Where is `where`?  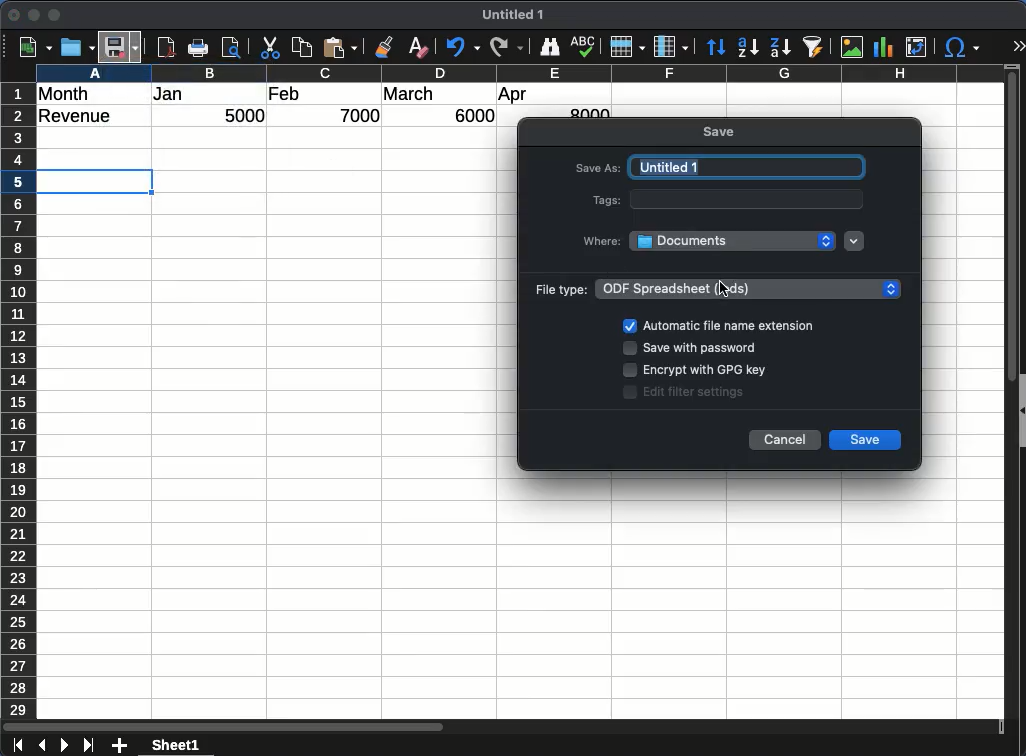
where is located at coordinates (603, 239).